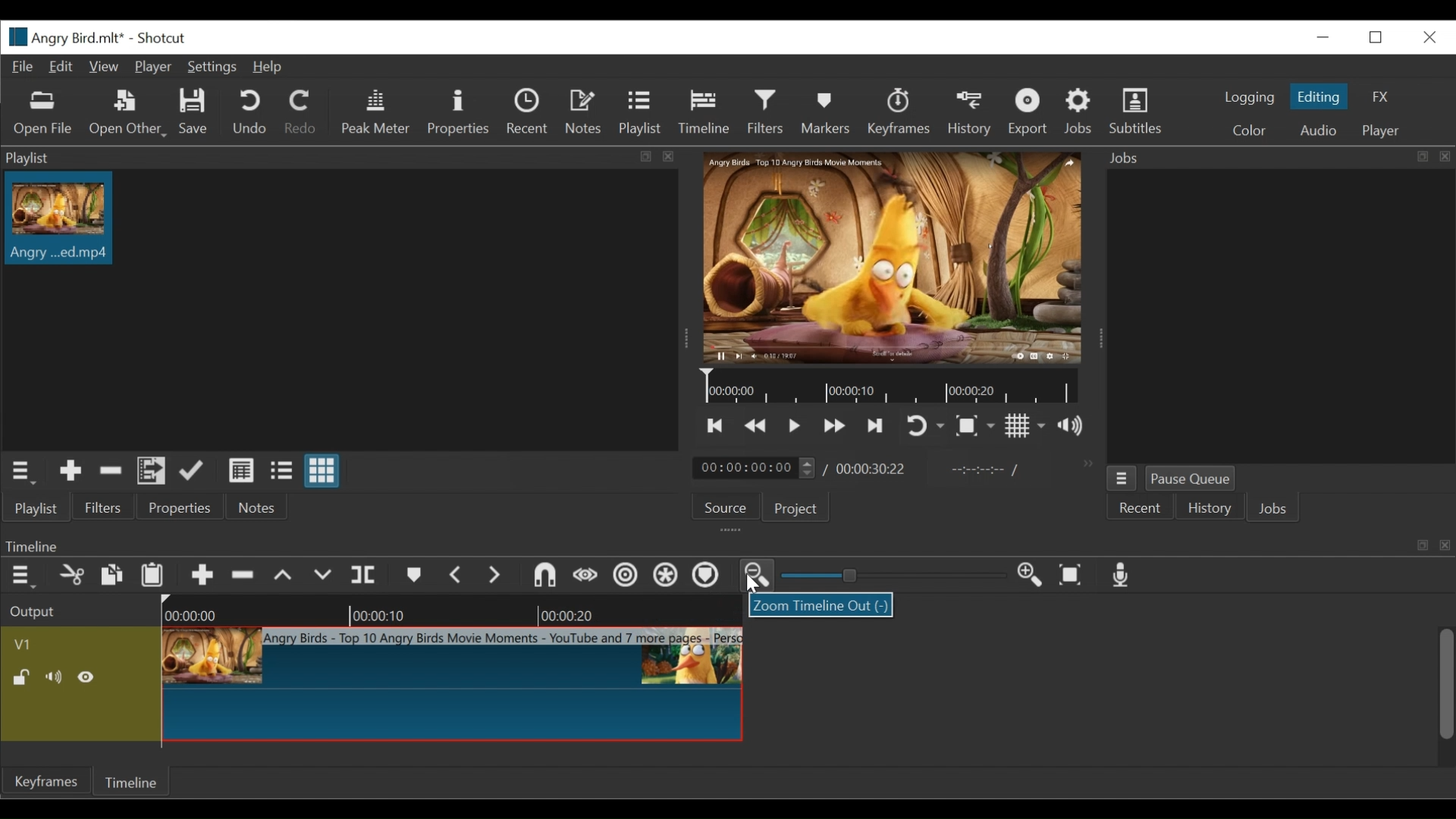  Describe the element at coordinates (795, 508) in the screenshot. I see `Project` at that location.